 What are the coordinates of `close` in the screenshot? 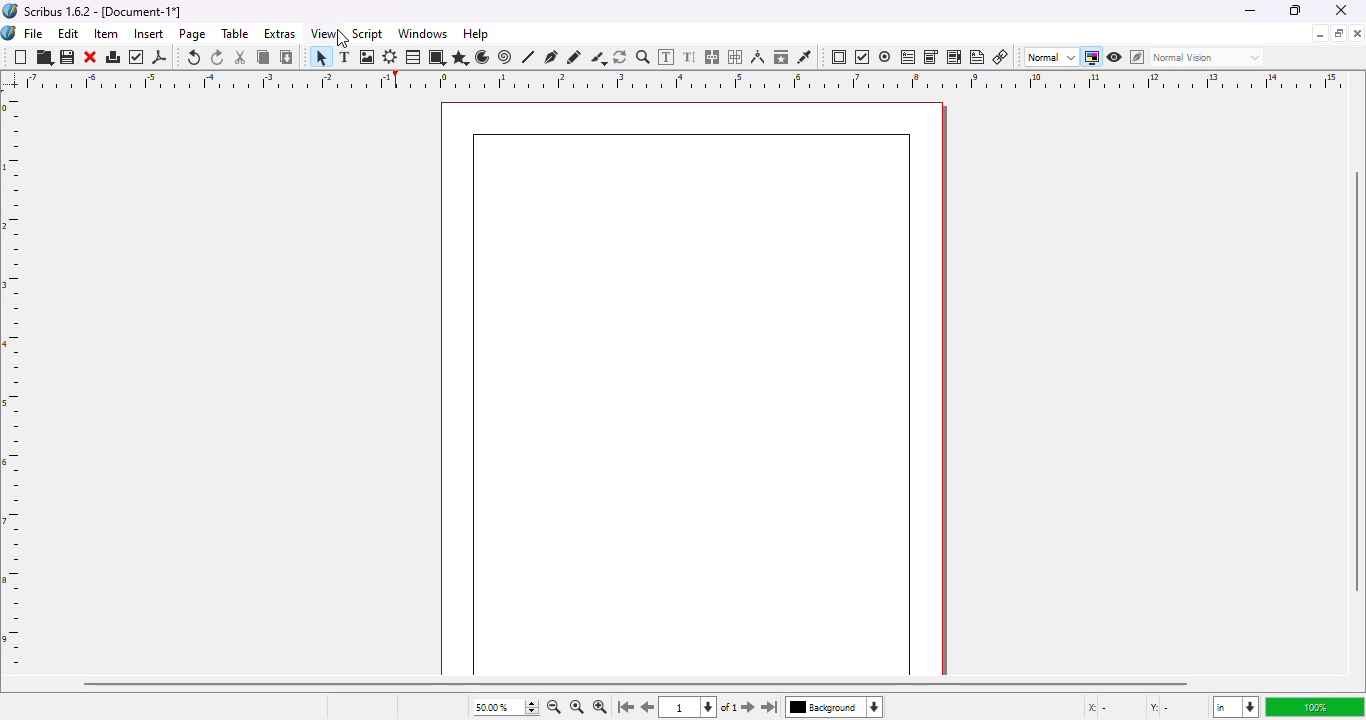 It's located at (1357, 33).